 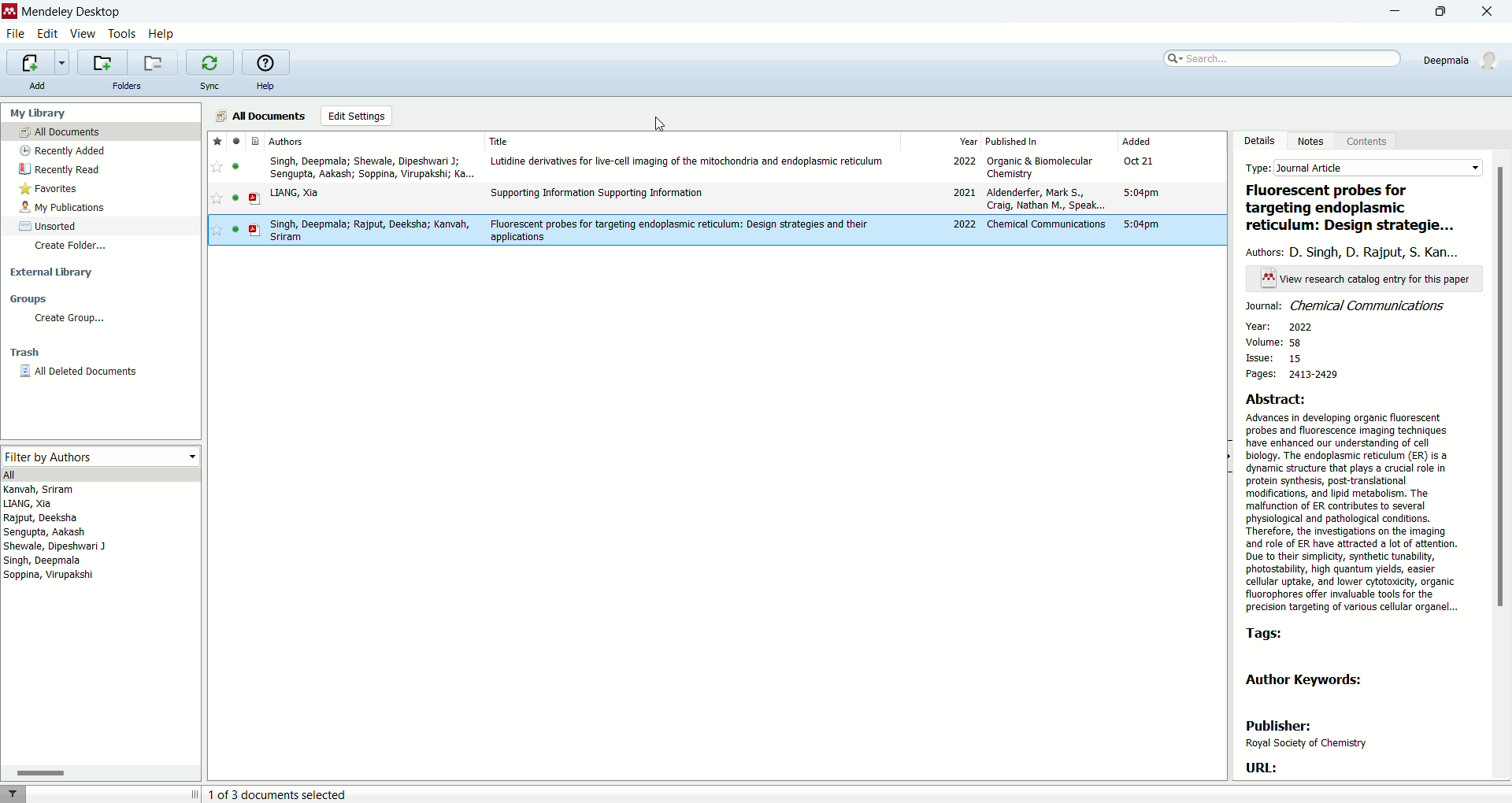 What do you see at coordinates (1306, 735) in the screenshot?
I see `publisher` at bounding box center [1306, 735].